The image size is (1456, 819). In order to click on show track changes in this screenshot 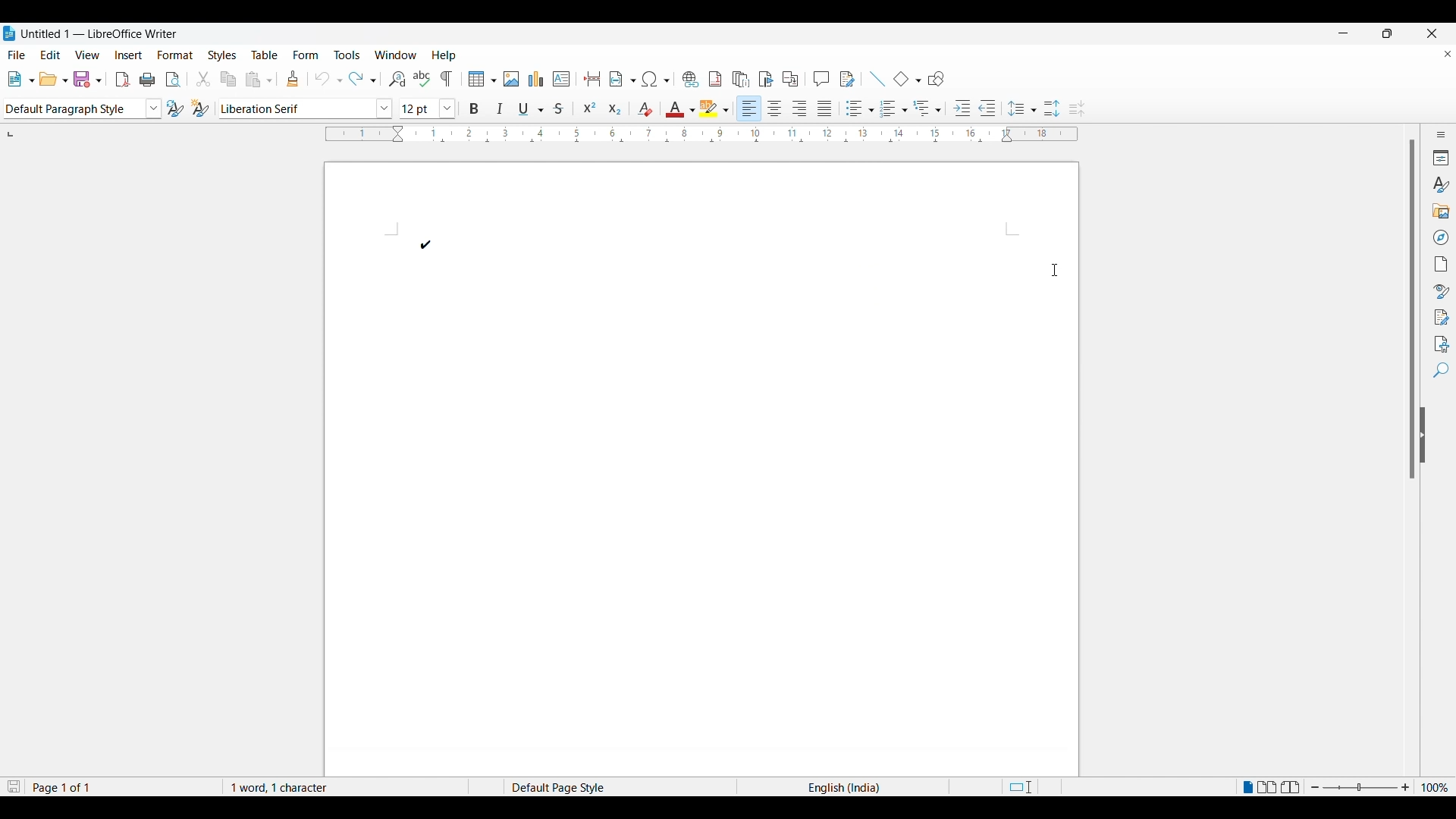, I will do `click(849, 78)`.